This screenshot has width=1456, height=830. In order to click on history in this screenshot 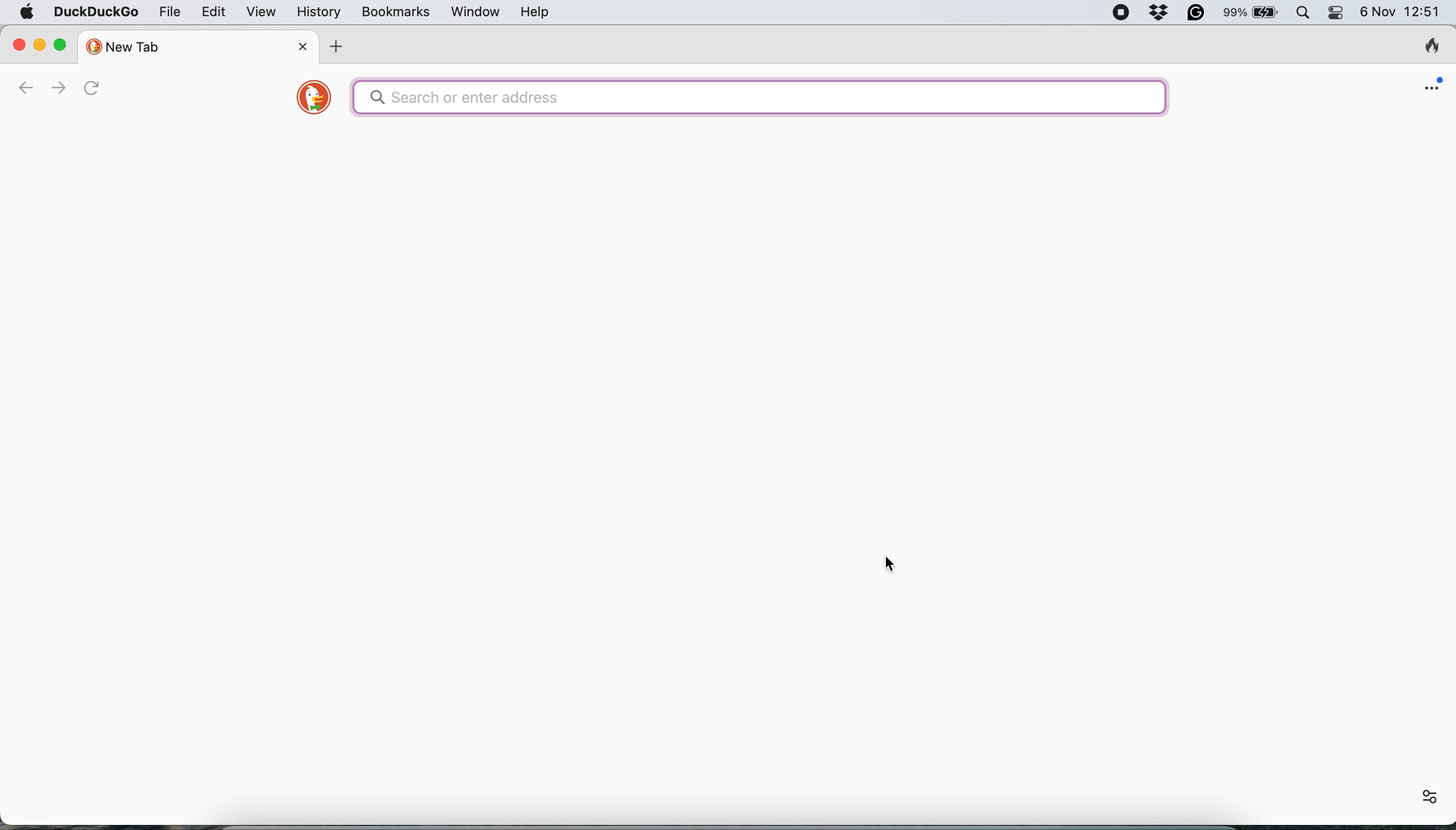, I will do `click(318, 12)`.